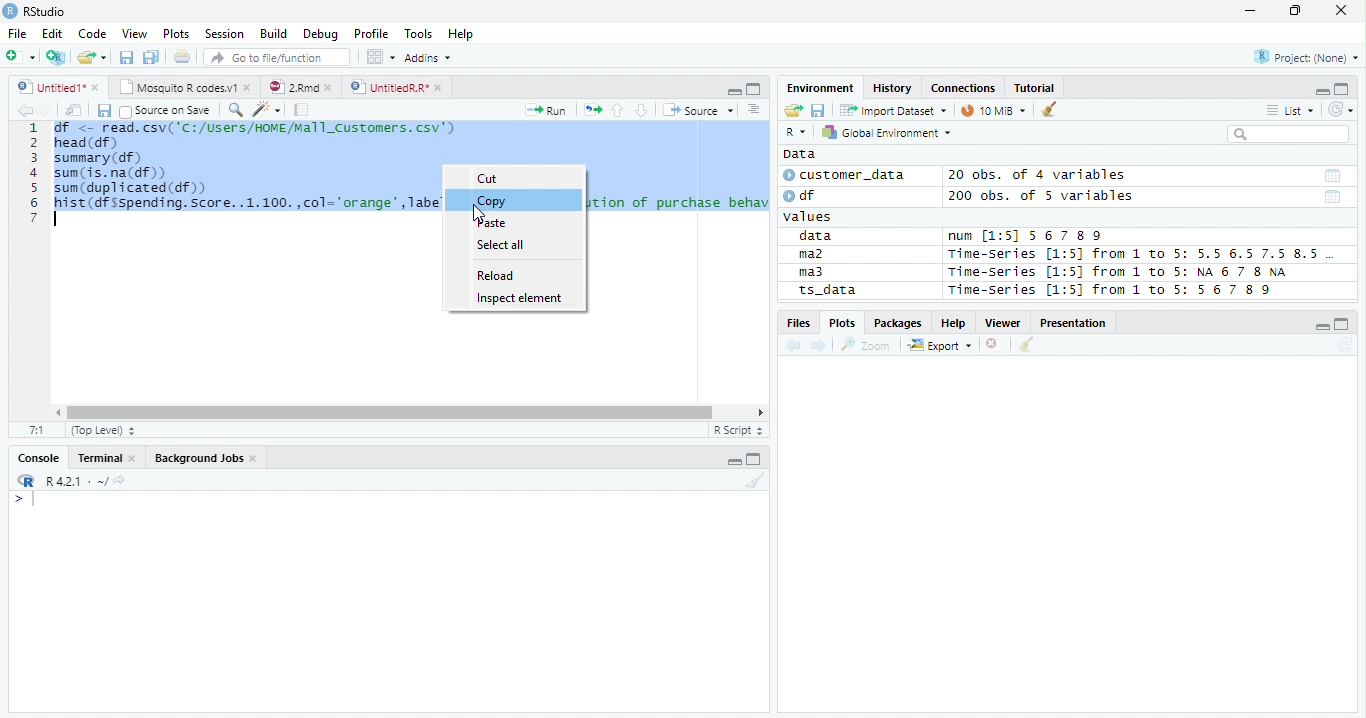 The height and width of the screenshot is (718, 1366). Describe the element at coordinates (422, 32) in the screenshot. I see `Tools` at that location.